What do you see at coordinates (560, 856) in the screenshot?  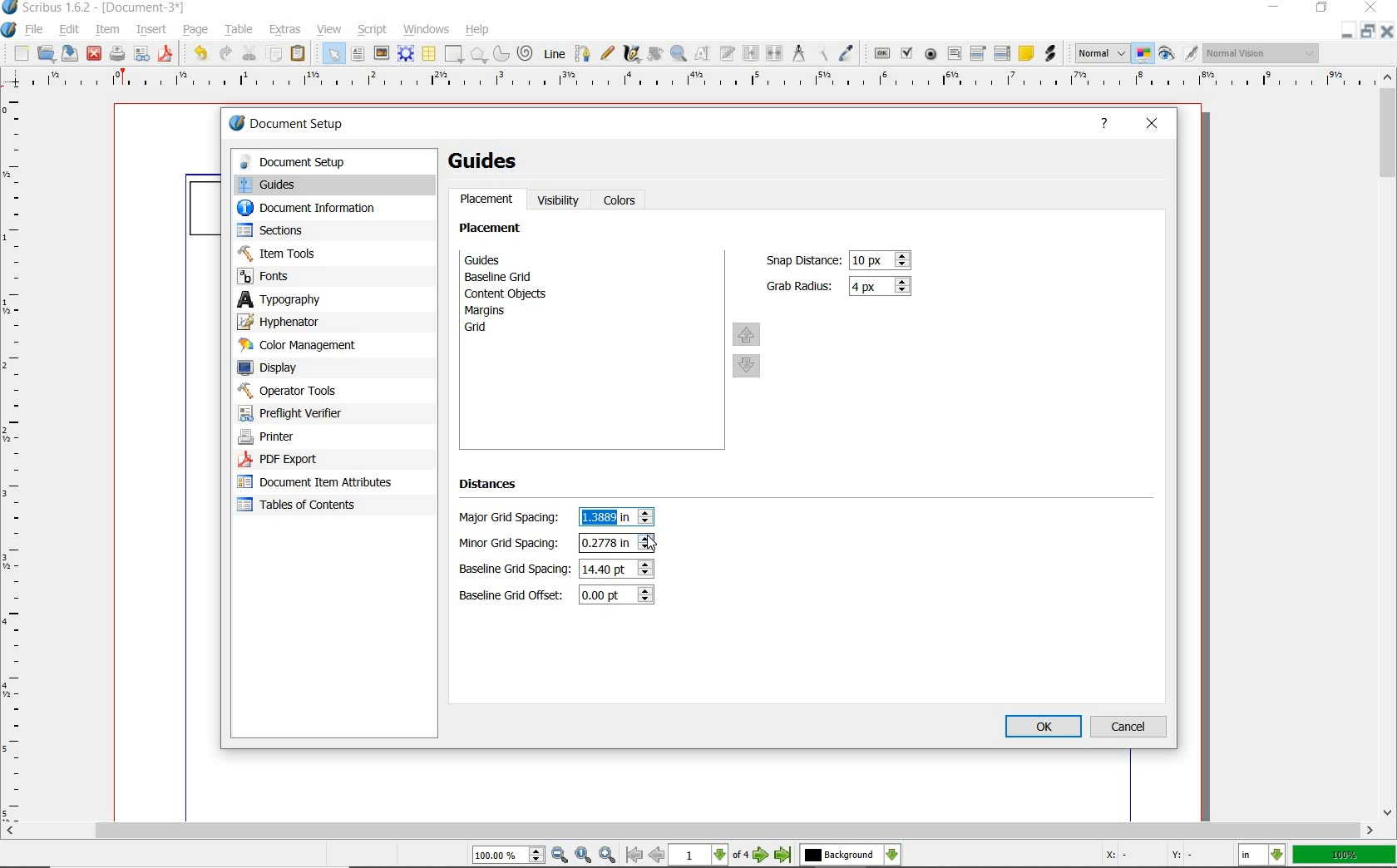 I see `zoom out` at bounding box center [560, 856].